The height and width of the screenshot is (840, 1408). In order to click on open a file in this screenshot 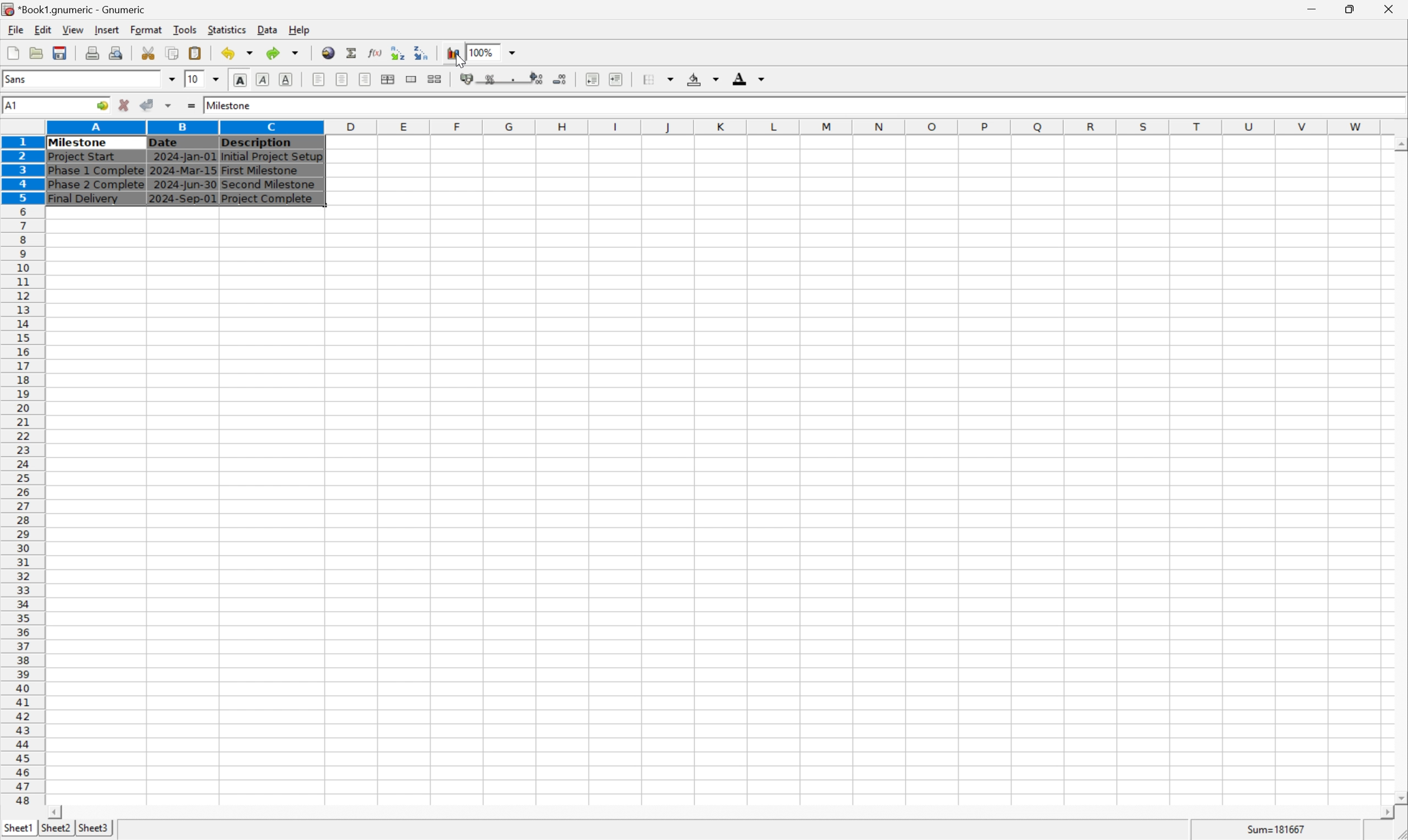, I will do `click(38, 53)`.